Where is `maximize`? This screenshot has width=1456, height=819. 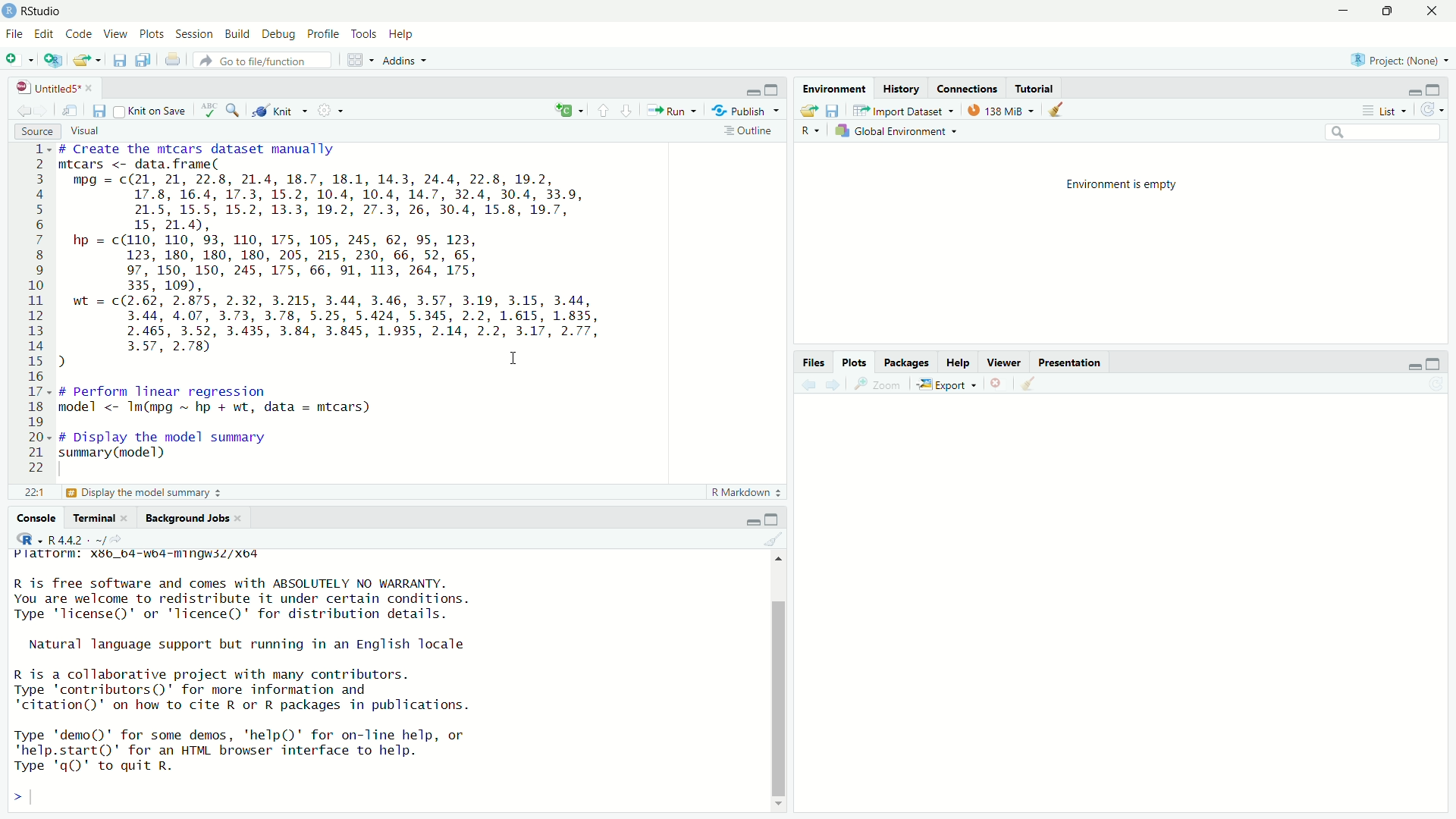 maximize is located at coordinates (774, 517).